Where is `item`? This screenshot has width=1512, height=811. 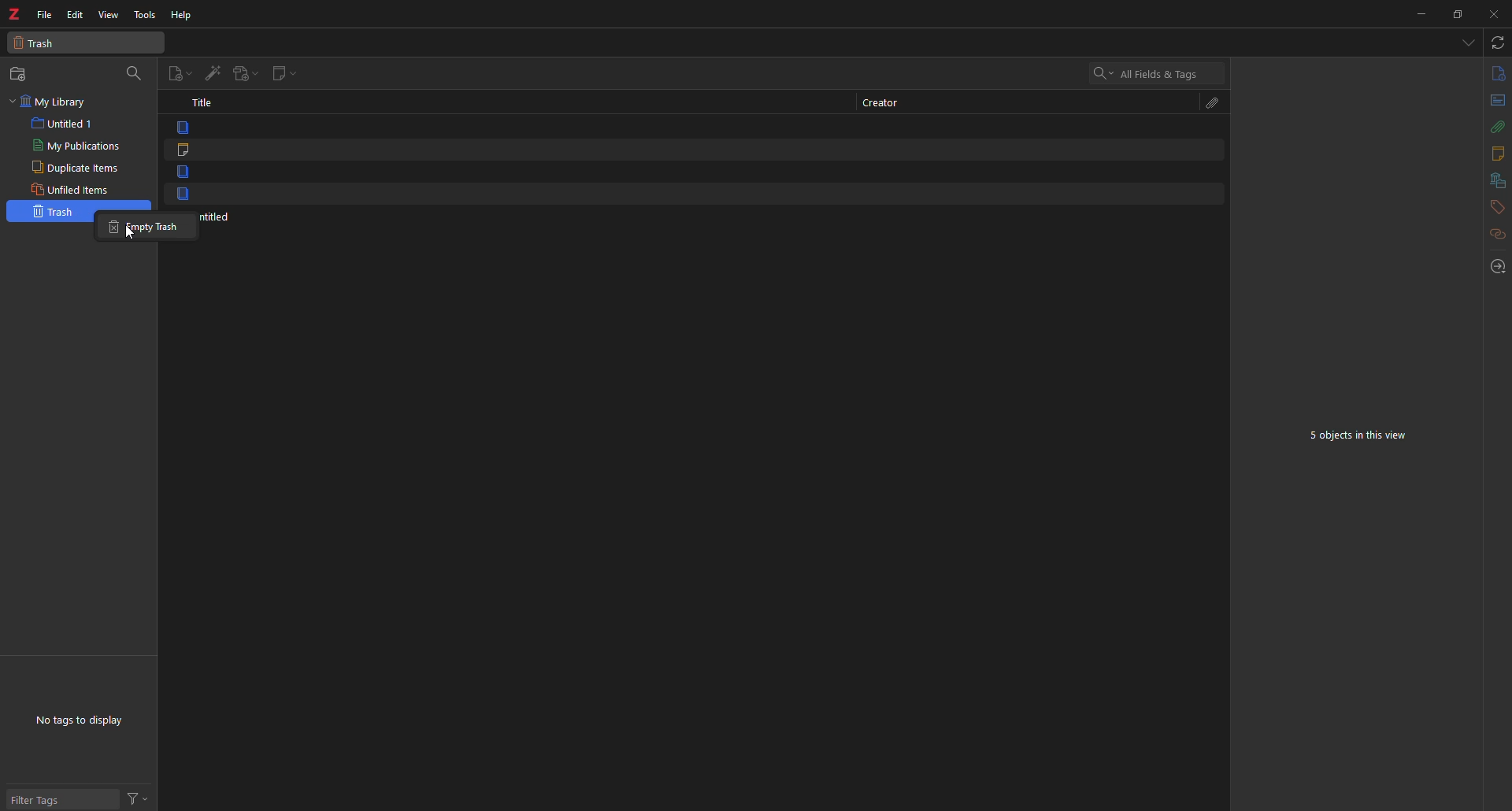 item is located at coordinates (183, 172).